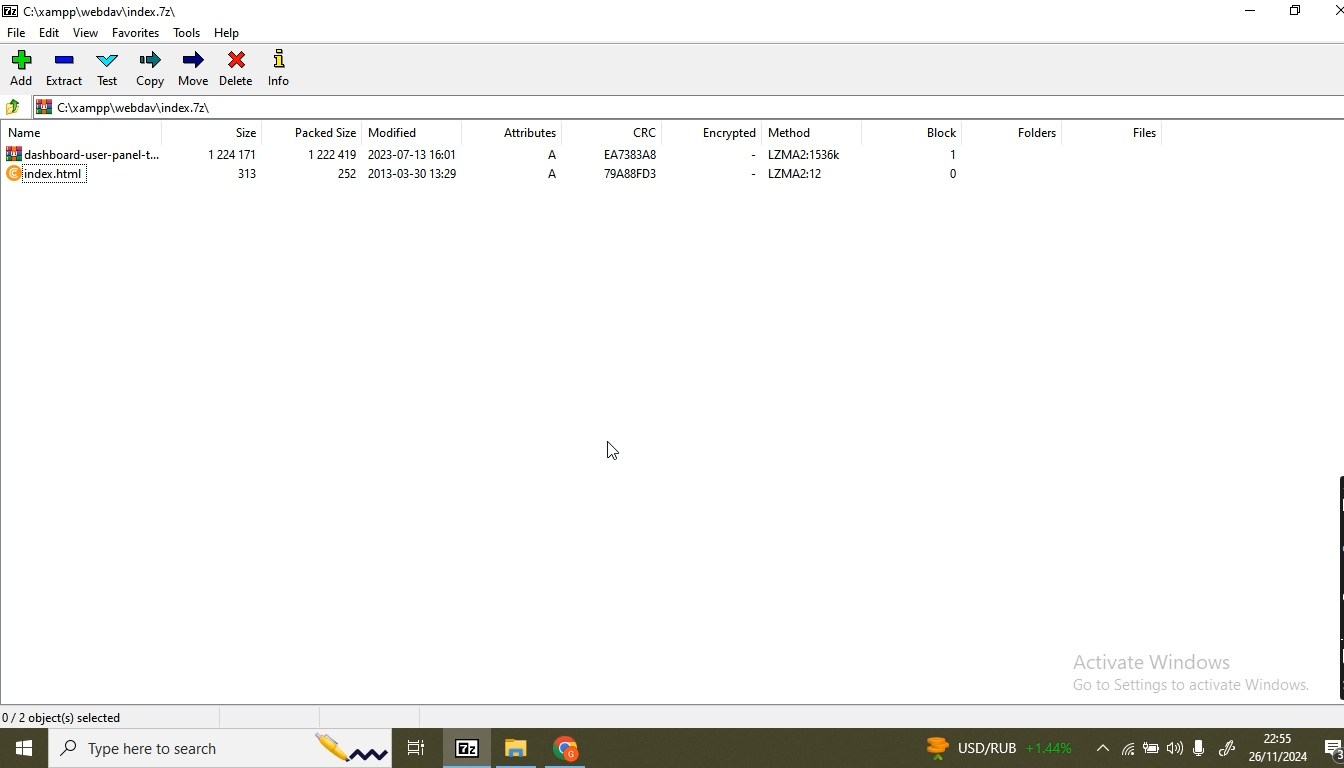 This screenshot has width=1344, height=768. I want to click on 2013-03-30 13:29, so click(422, 177).